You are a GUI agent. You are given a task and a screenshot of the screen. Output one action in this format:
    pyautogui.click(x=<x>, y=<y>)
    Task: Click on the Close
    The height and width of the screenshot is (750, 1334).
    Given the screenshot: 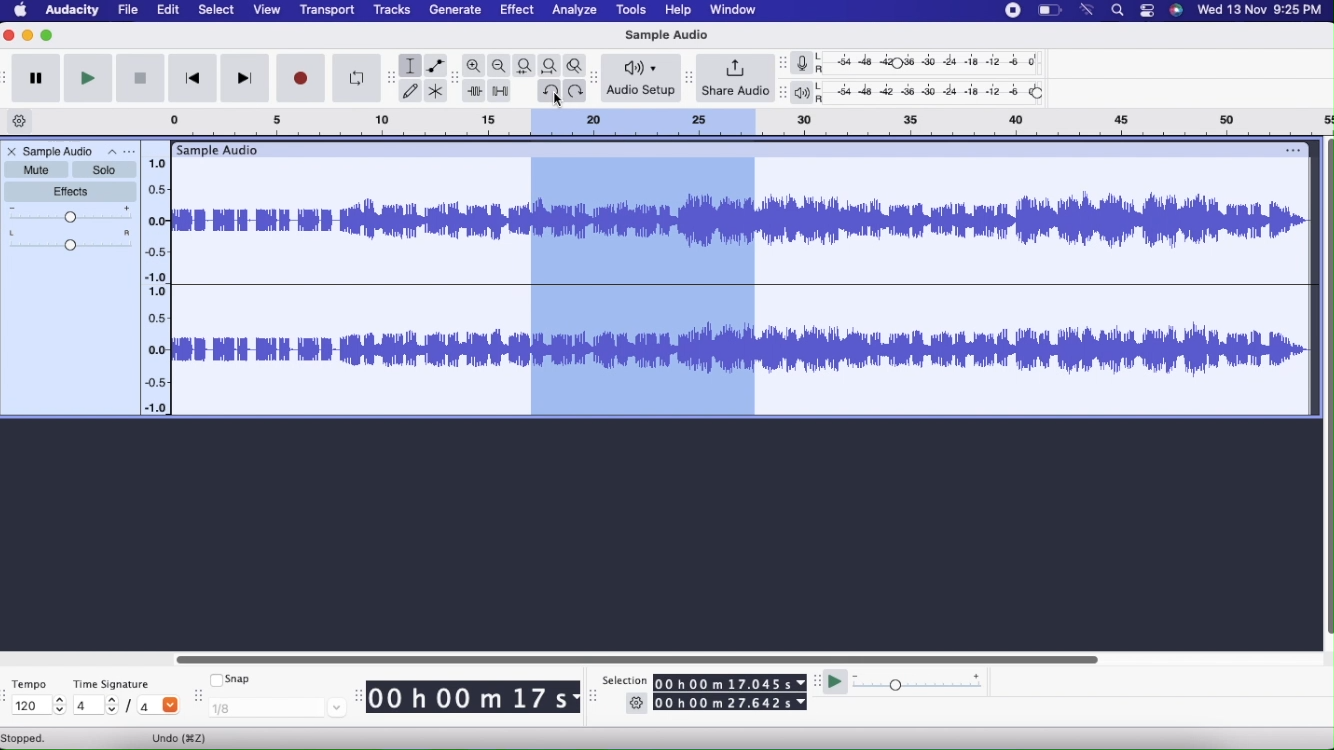 What is the action you would take?
    pyautogui.click(x=11, y=152)
    